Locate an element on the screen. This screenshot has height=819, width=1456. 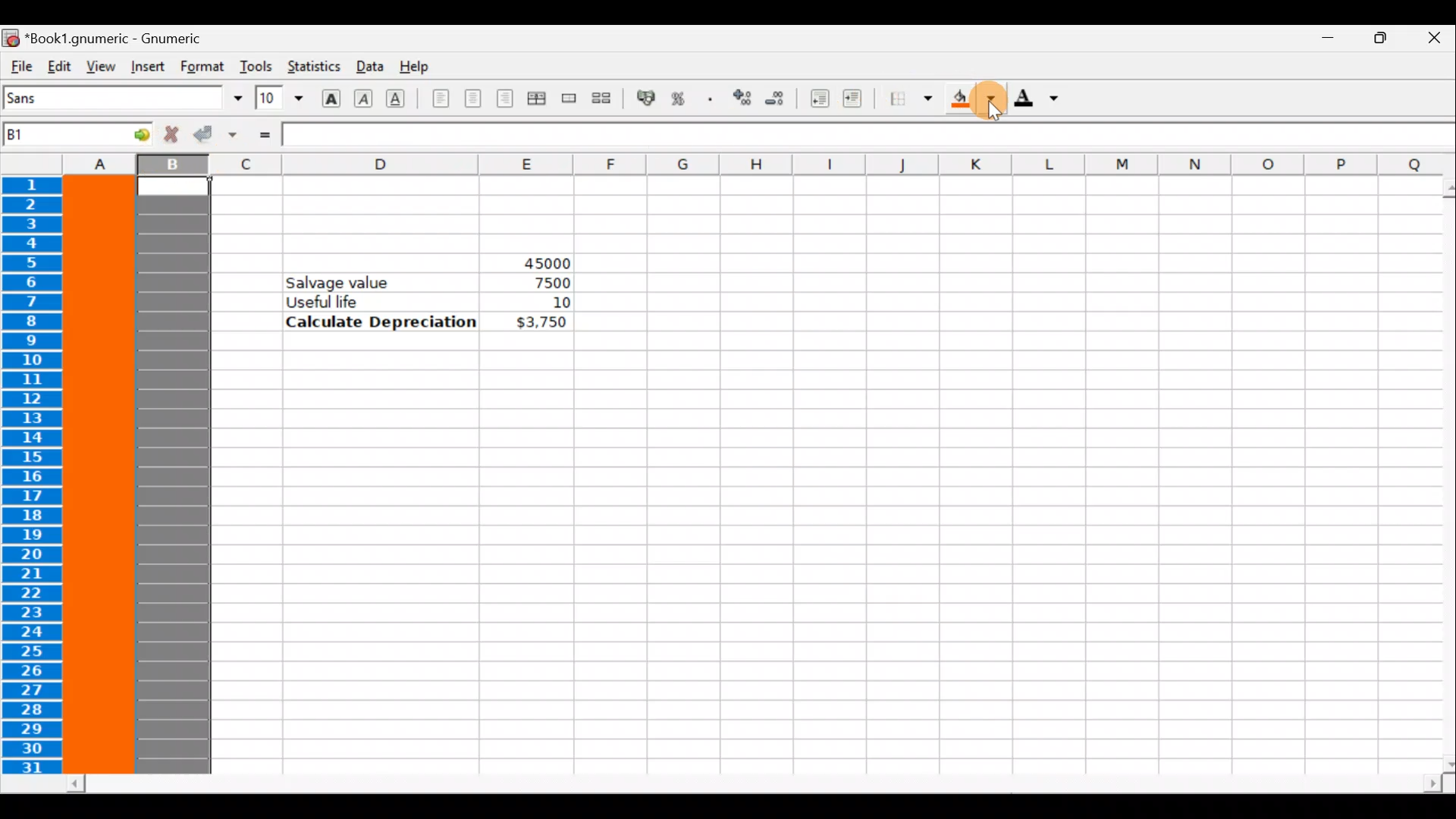
Centre horizontally across selection is located at coordinates (536, 101).